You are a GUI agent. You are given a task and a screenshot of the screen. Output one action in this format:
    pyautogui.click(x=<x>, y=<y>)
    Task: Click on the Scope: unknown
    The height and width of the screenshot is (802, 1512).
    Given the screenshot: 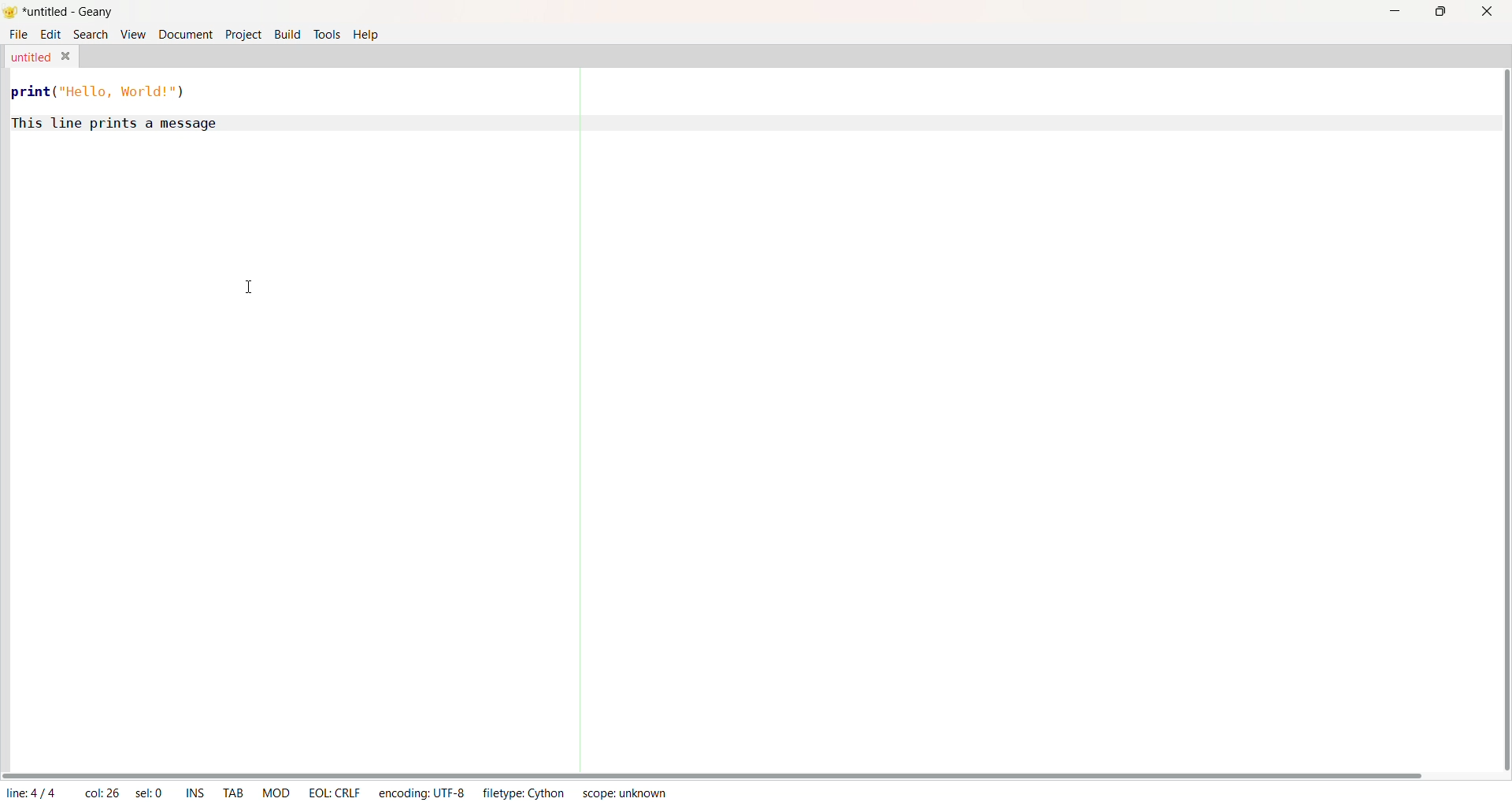 What is the action you would take?
    pyautogui.click(x=624, y=793)
    